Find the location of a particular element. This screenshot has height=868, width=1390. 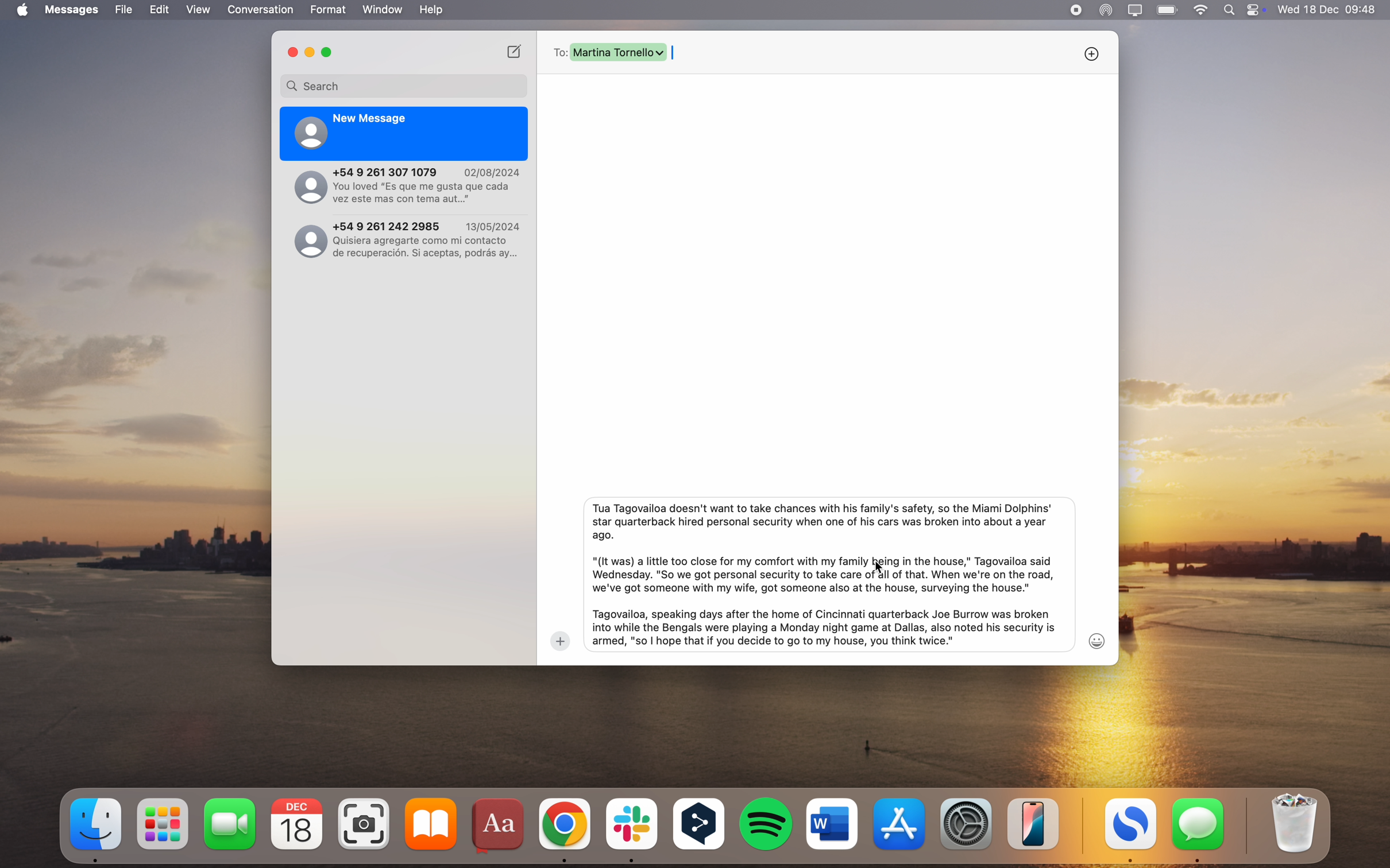

minimize app is located at coordinates (310, 53).